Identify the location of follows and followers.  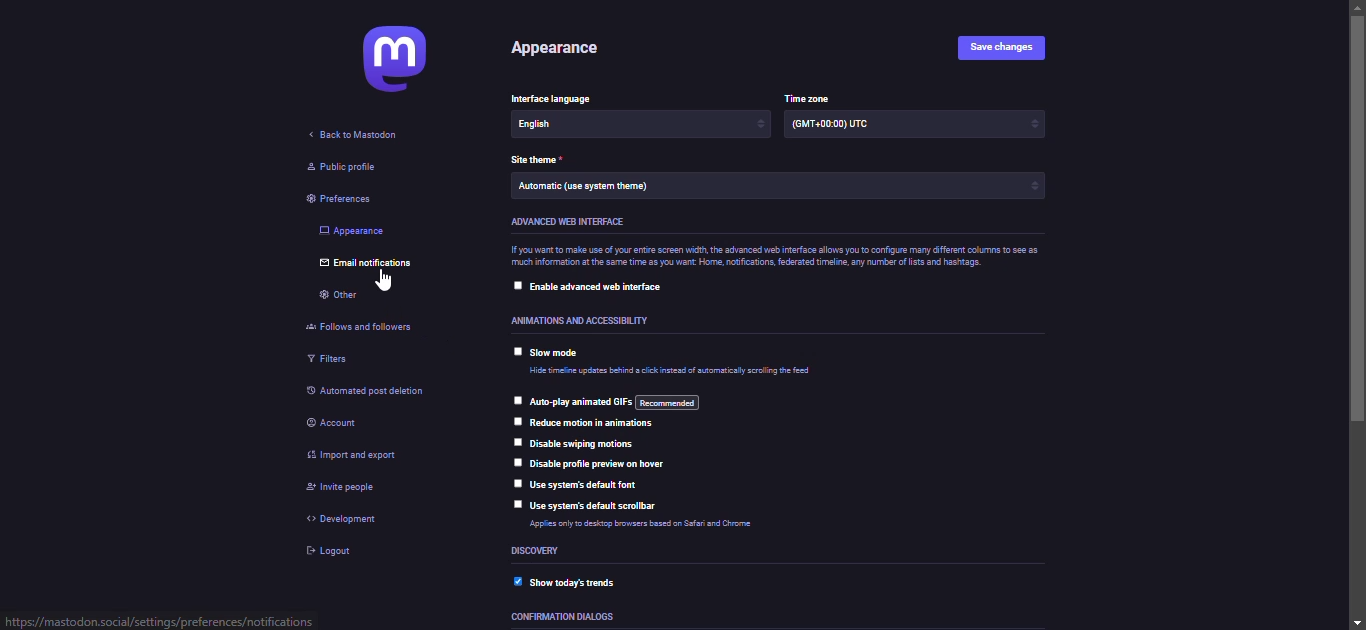
(370, 329).